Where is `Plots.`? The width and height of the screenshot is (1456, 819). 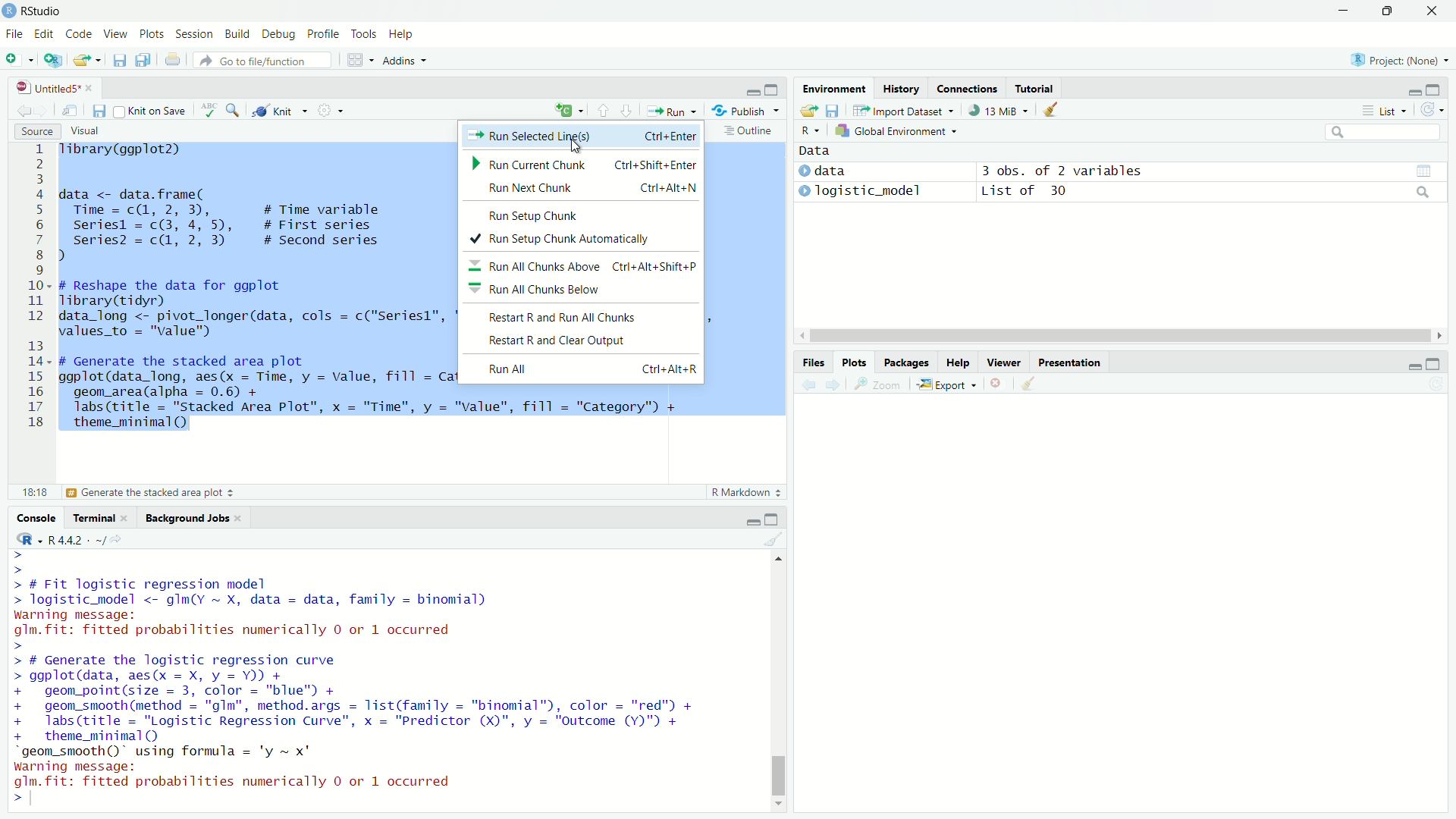 Plots. is located at coordinates (854, 362).